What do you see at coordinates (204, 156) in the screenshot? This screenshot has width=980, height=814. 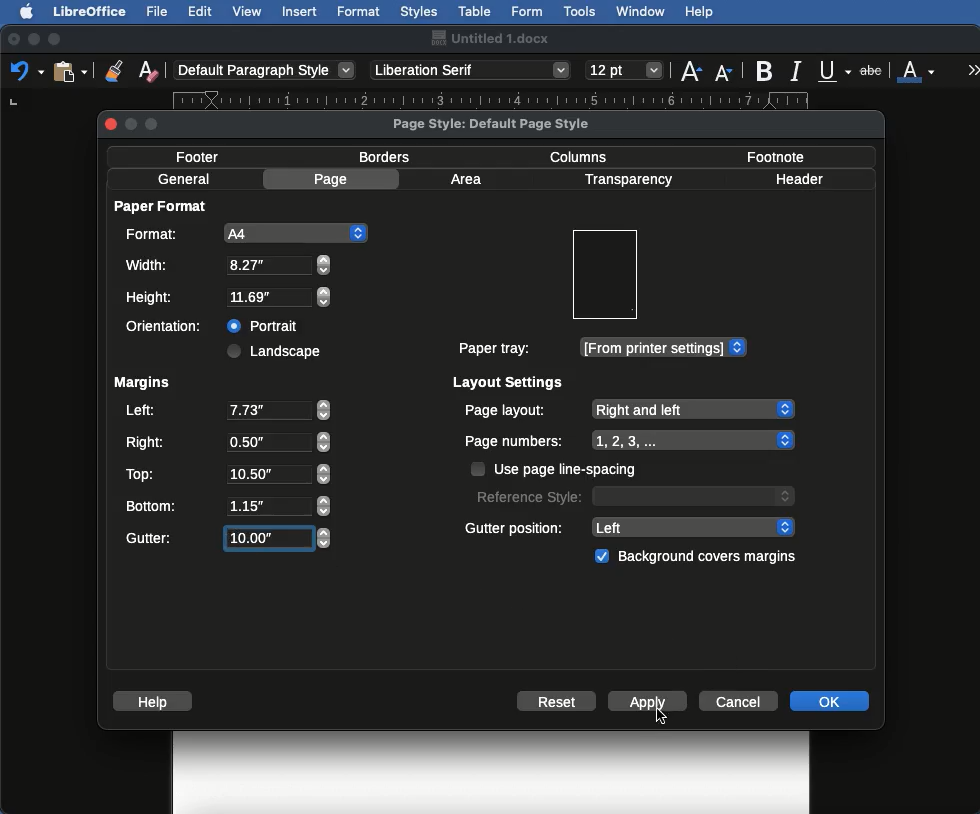 I see `Footer` at bounding box center [204, 156].